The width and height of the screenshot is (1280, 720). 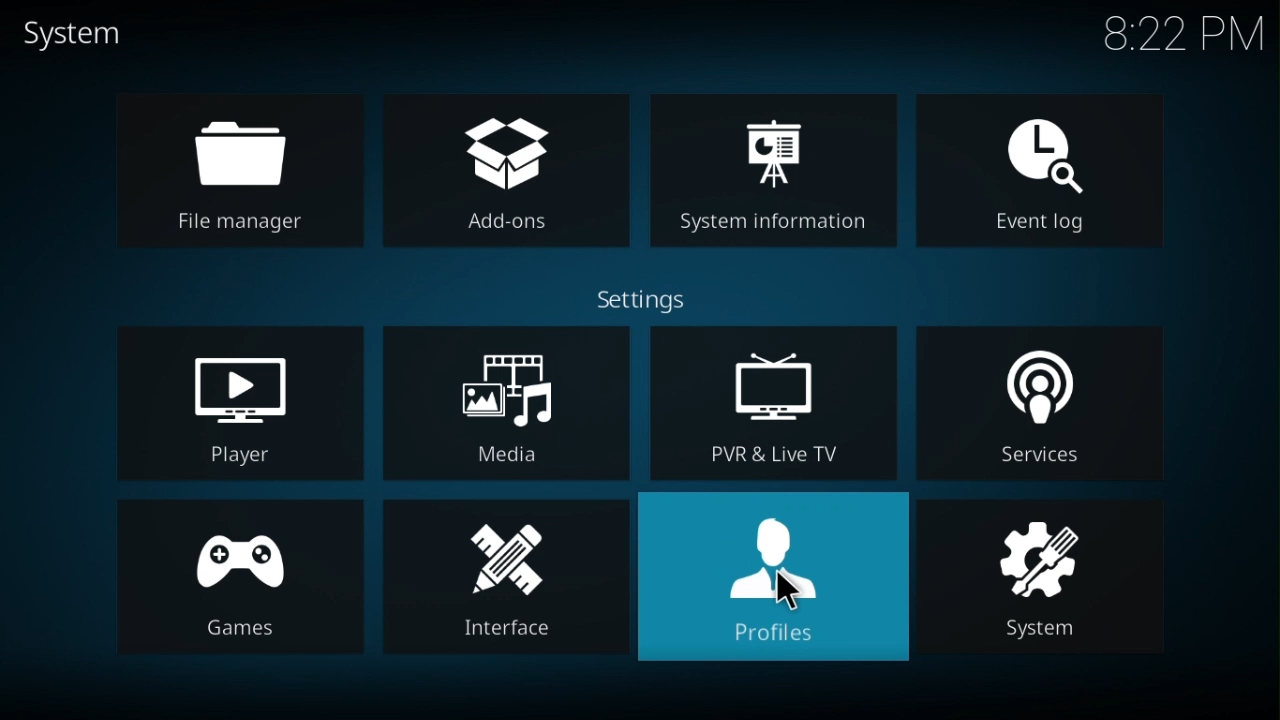 I want to click on system, so click(x=88, y=31).